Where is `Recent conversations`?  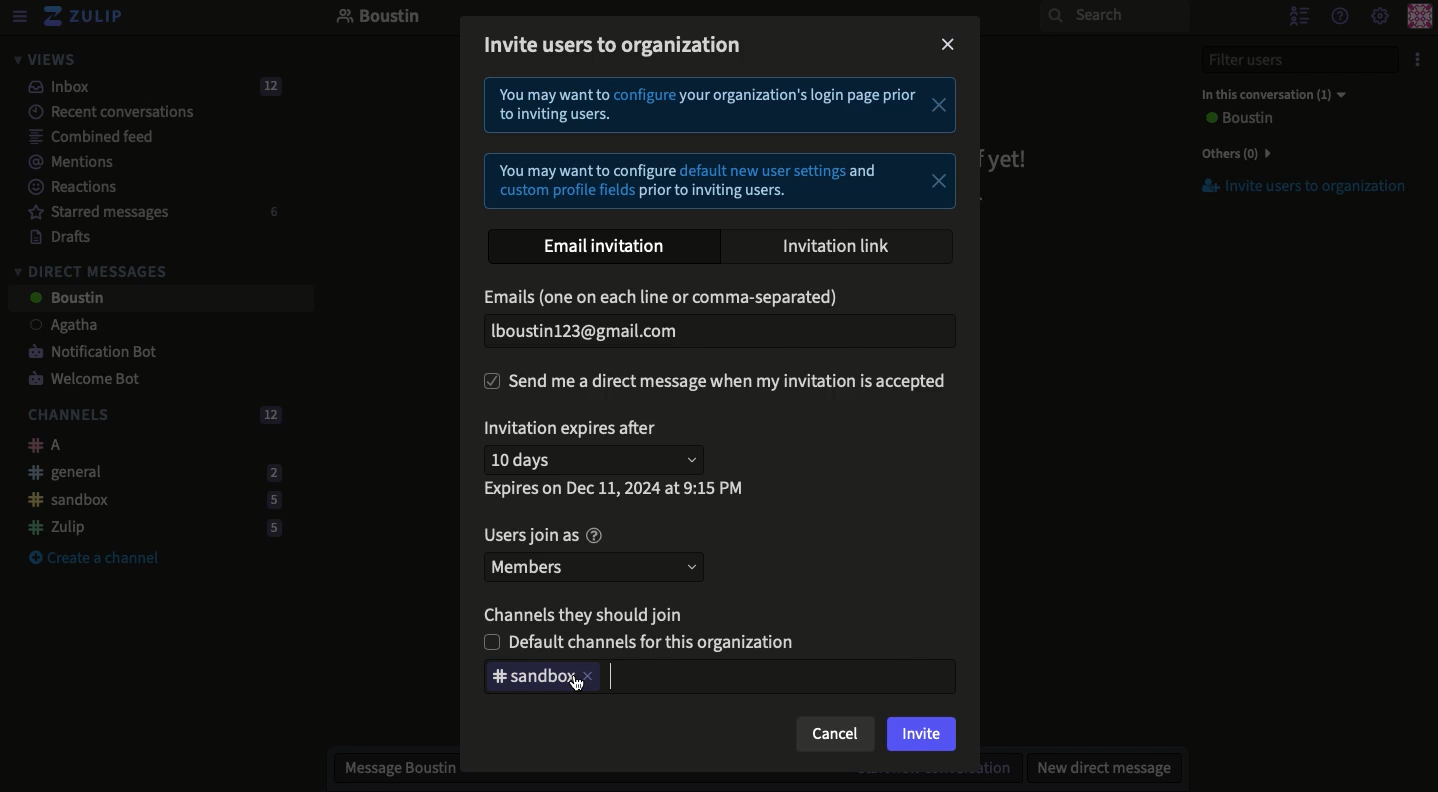
Recent conversations is located at coordinates (99, 111).